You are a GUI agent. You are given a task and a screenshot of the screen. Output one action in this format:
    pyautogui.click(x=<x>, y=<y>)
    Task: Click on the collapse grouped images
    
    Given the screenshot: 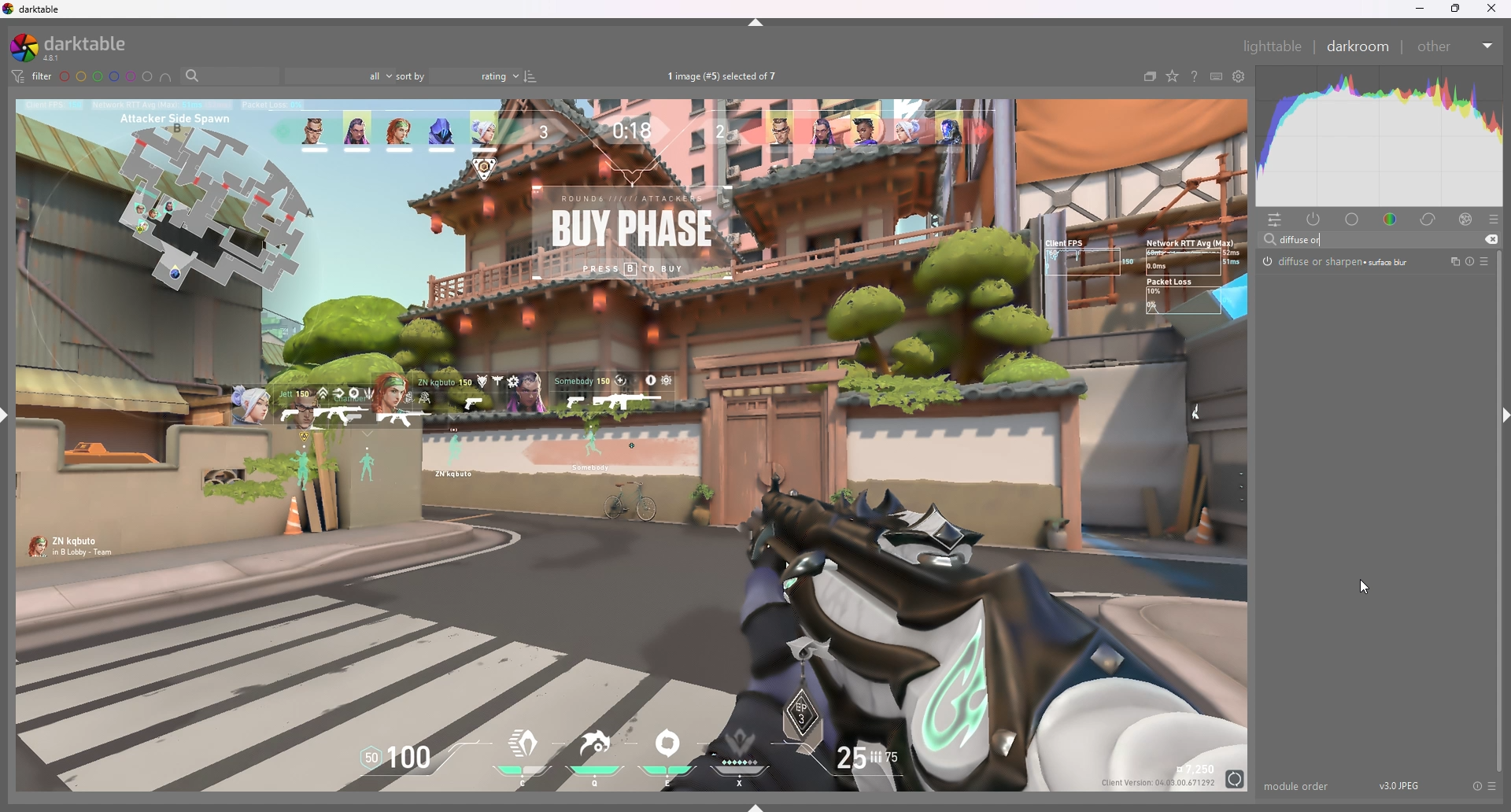 What is the action you would take?
    pyautogui.click(x=1151, y=76)
    